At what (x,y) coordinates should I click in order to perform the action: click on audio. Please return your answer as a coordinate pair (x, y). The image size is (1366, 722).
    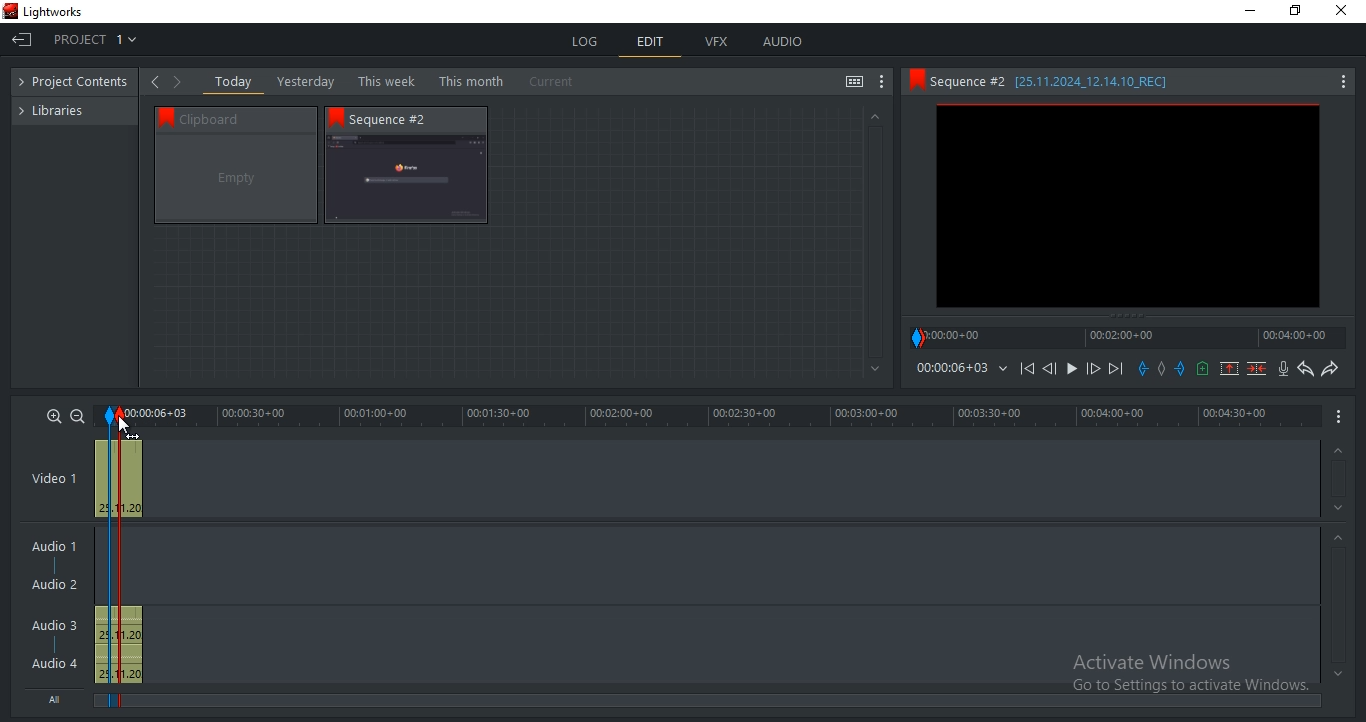
    Looking at the image, I should click on (782, 41).